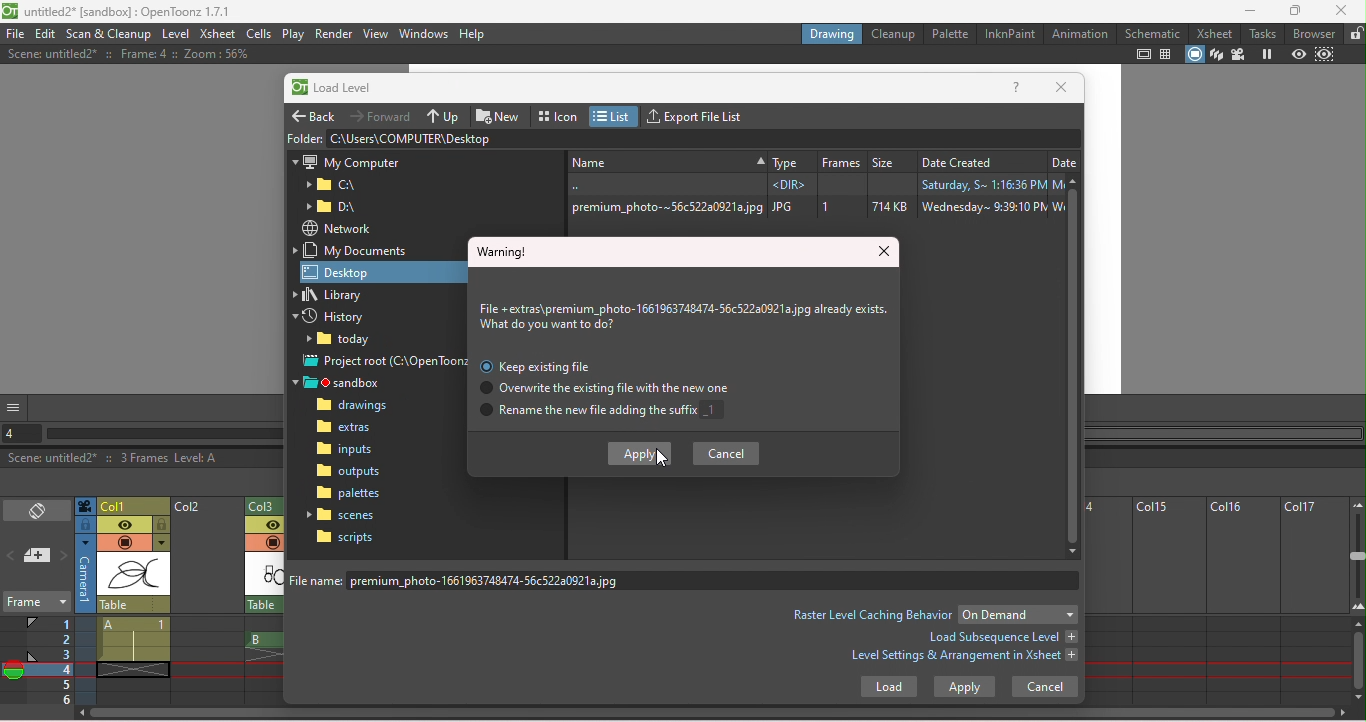 Image resolution: width=1366 pixels, height=722 pixels. What do you see at coordinates (162, 525) in the screenshot?
I see `lock toggle` at bounding box center [162, 525].